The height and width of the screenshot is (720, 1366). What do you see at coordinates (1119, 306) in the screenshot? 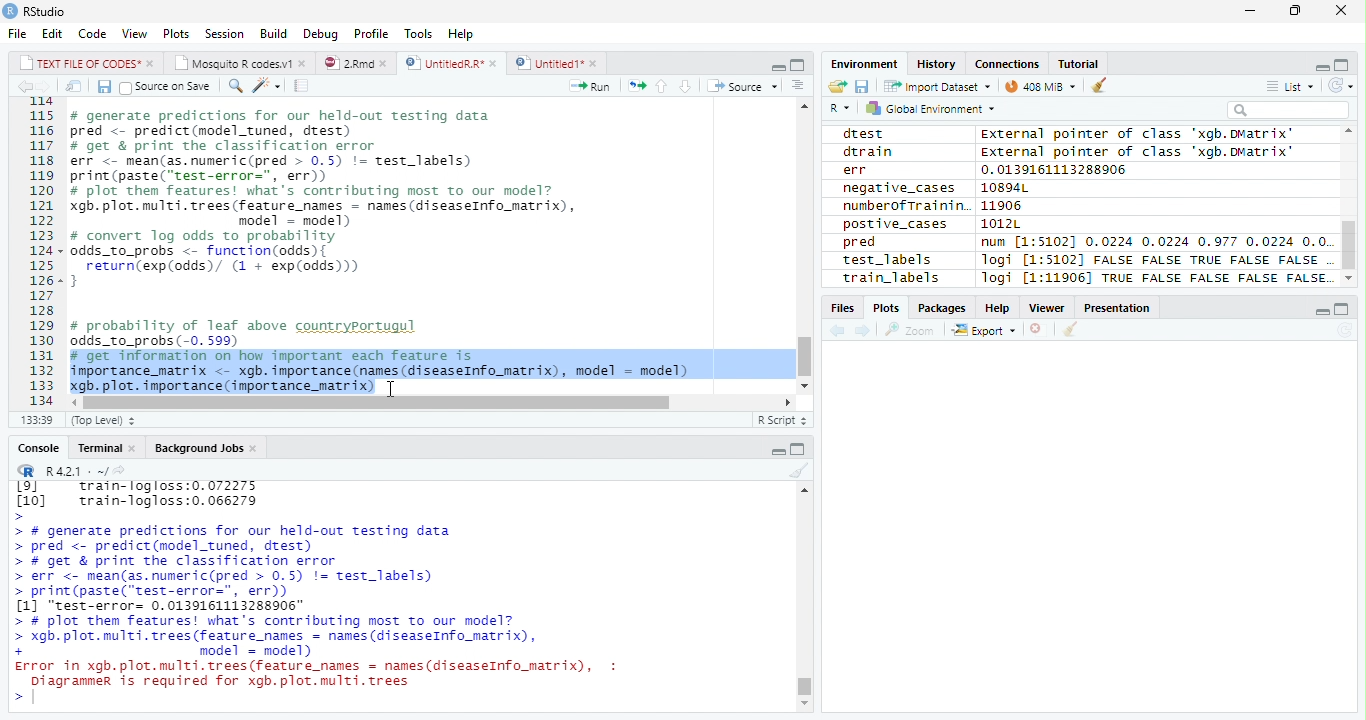
I see `Presentation` at bounding box center [1119, 306].